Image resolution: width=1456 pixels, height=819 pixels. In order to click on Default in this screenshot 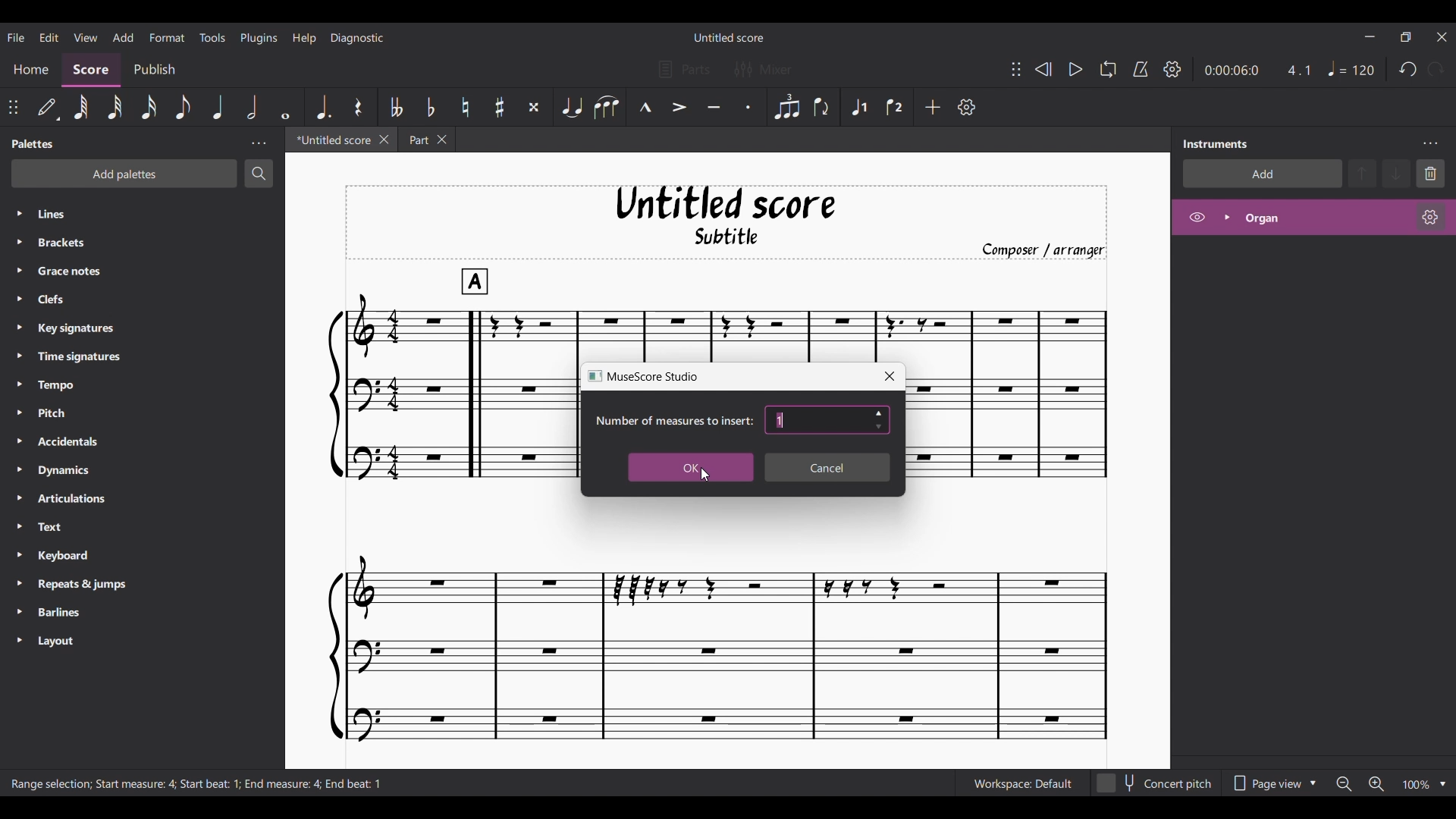, I will do `click(48, 107)`.